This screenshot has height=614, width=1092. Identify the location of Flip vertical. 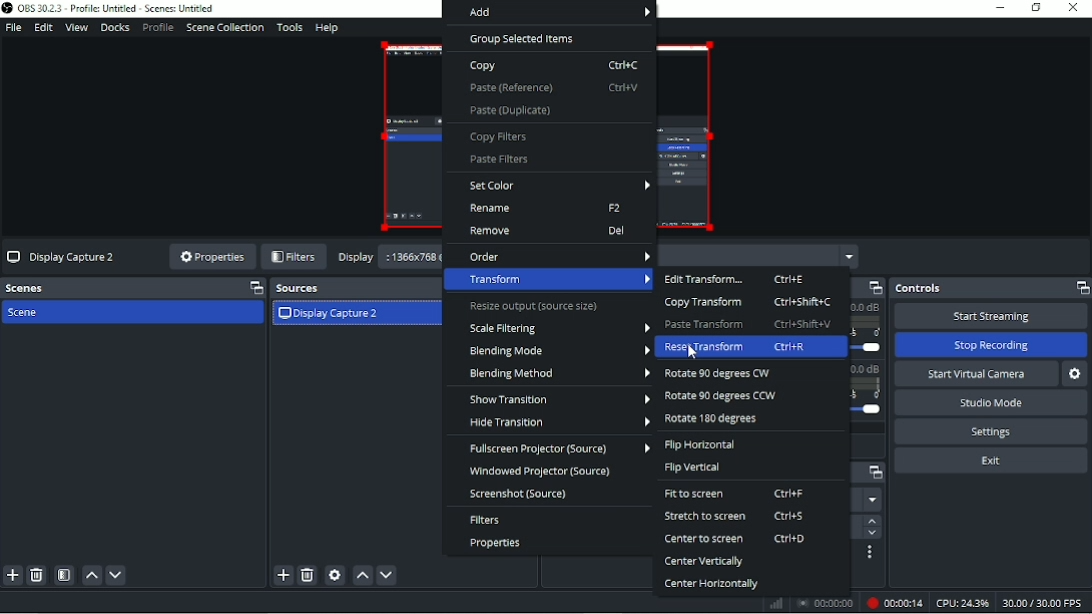
(694, 467).